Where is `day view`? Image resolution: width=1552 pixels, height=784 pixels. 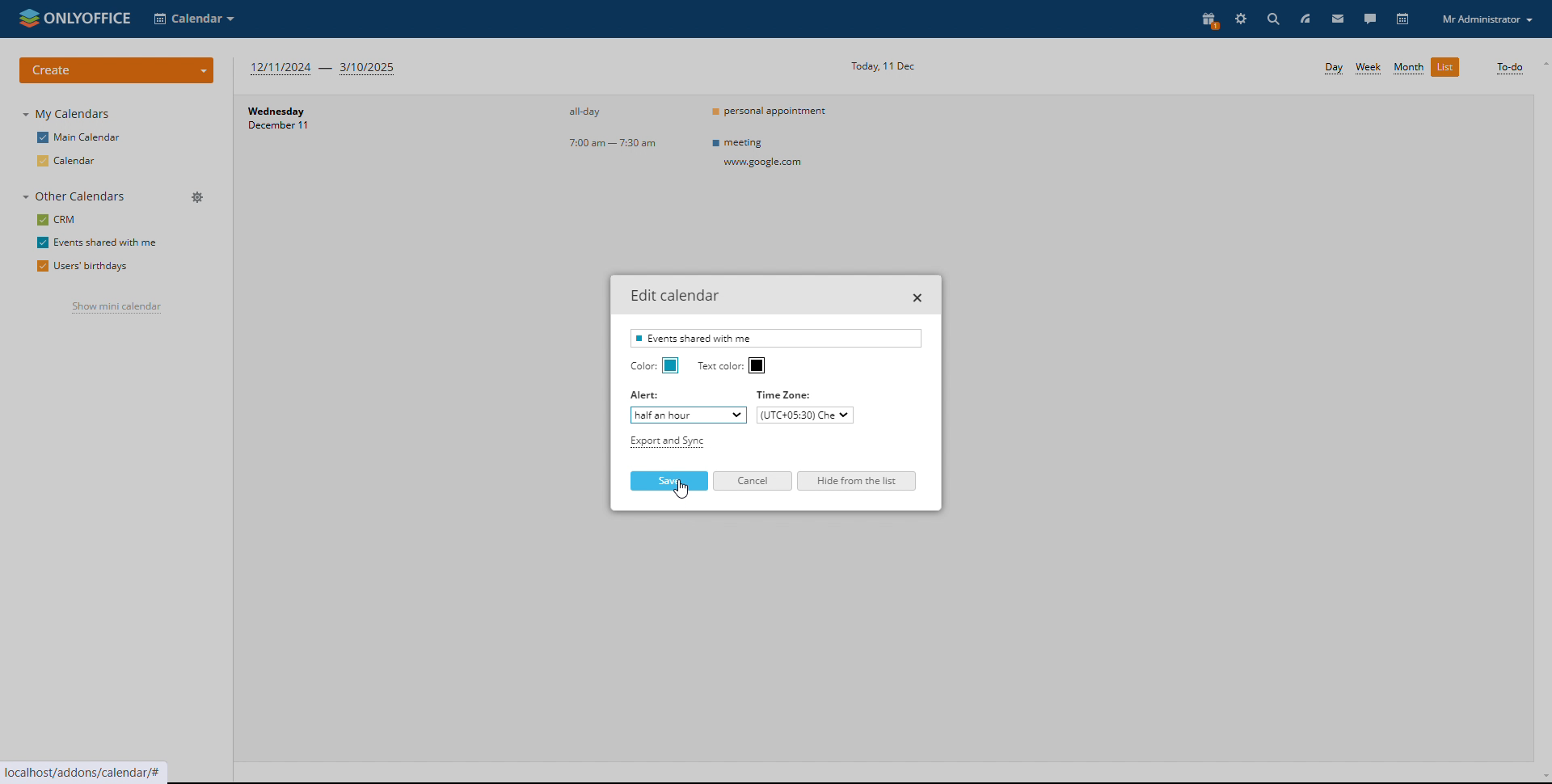 day view is located at coordinates (1334, 69).